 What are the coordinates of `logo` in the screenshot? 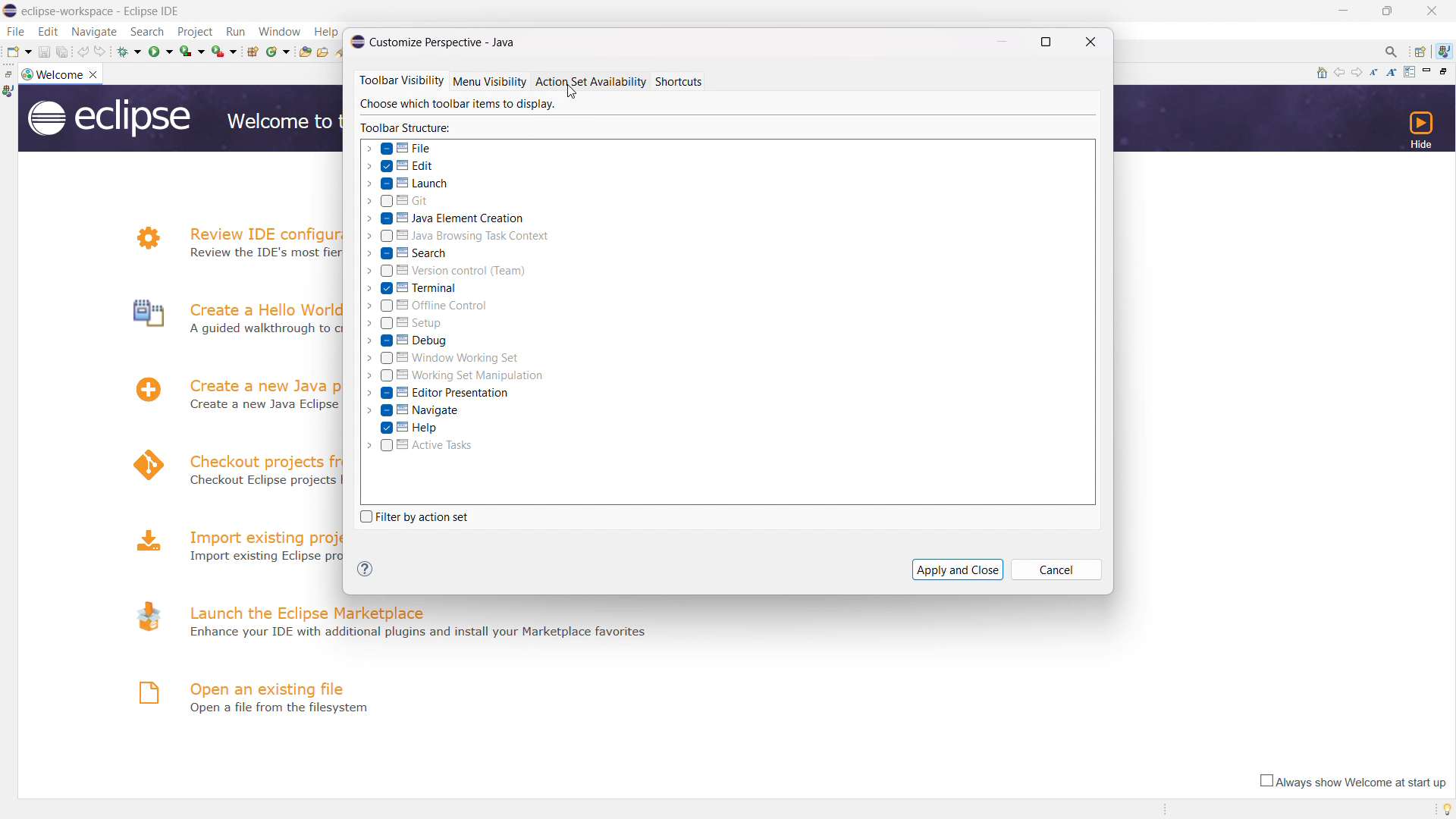 It's located at (108, 118).